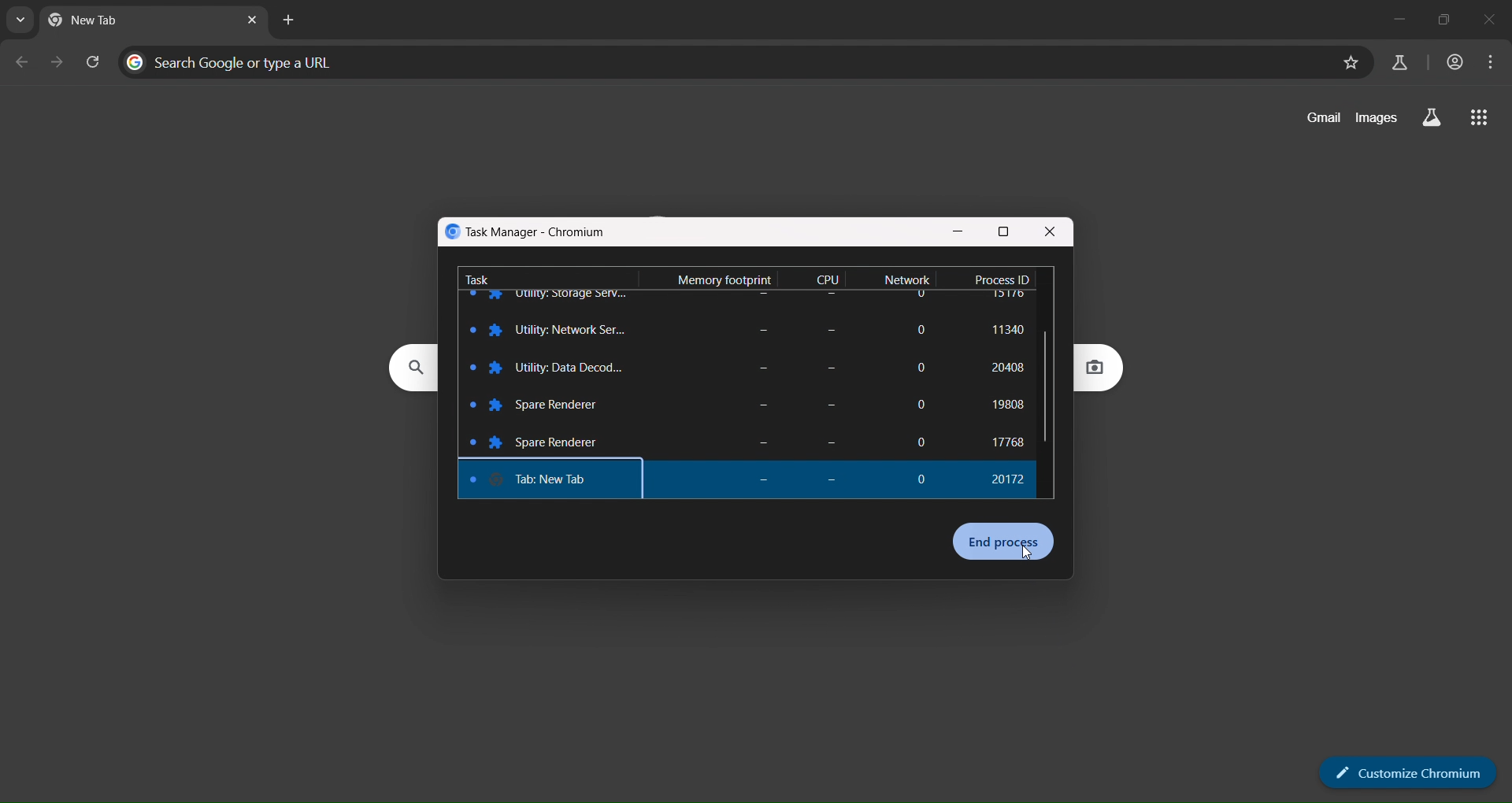  What do you see at coordinates (823, 363) in the screenshot?
I see `03` at bounding box center [823, 363].